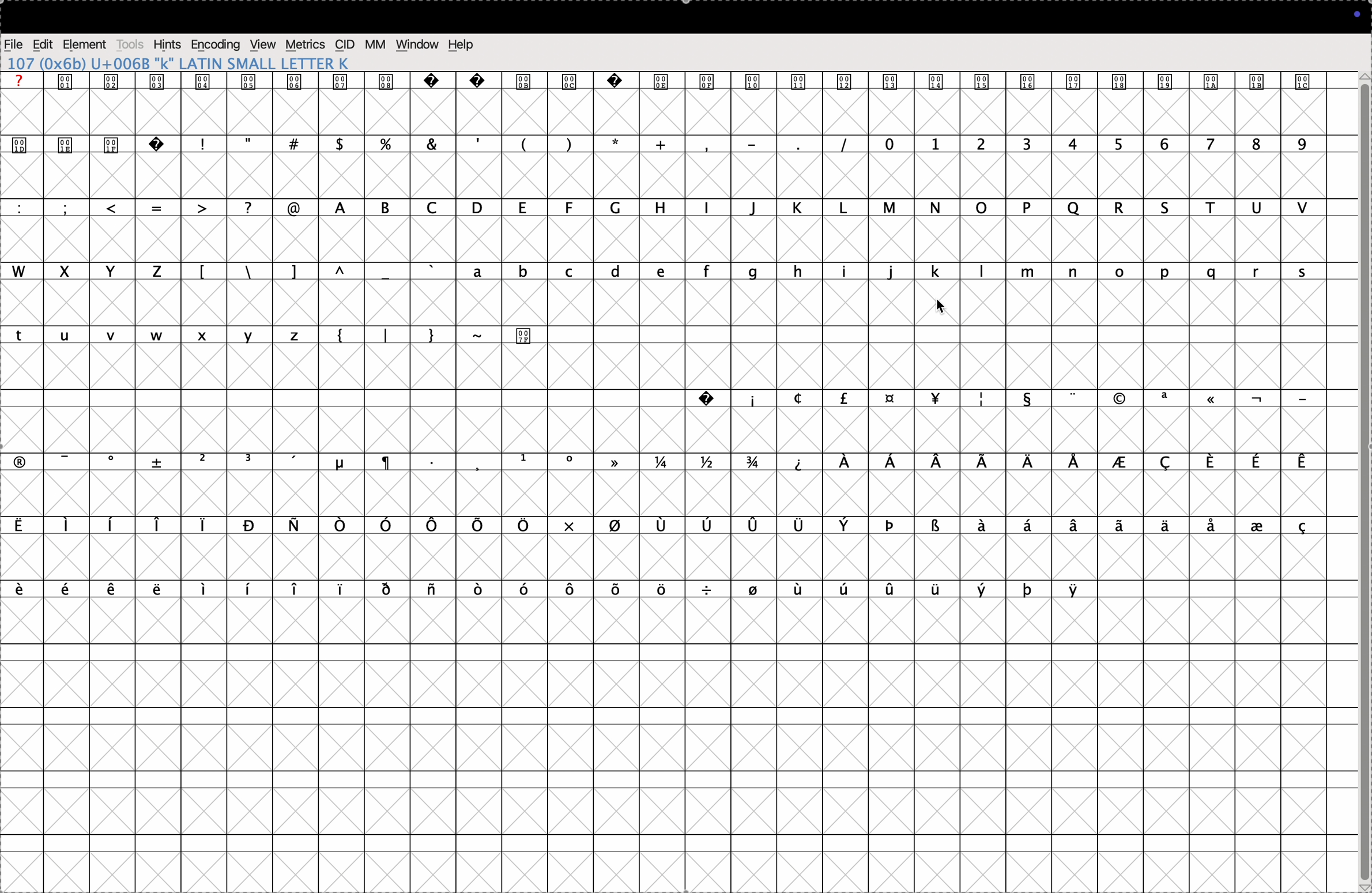 The width and height of the screenshot is (1372, 893). I want to click on r, so click(1113, 208).